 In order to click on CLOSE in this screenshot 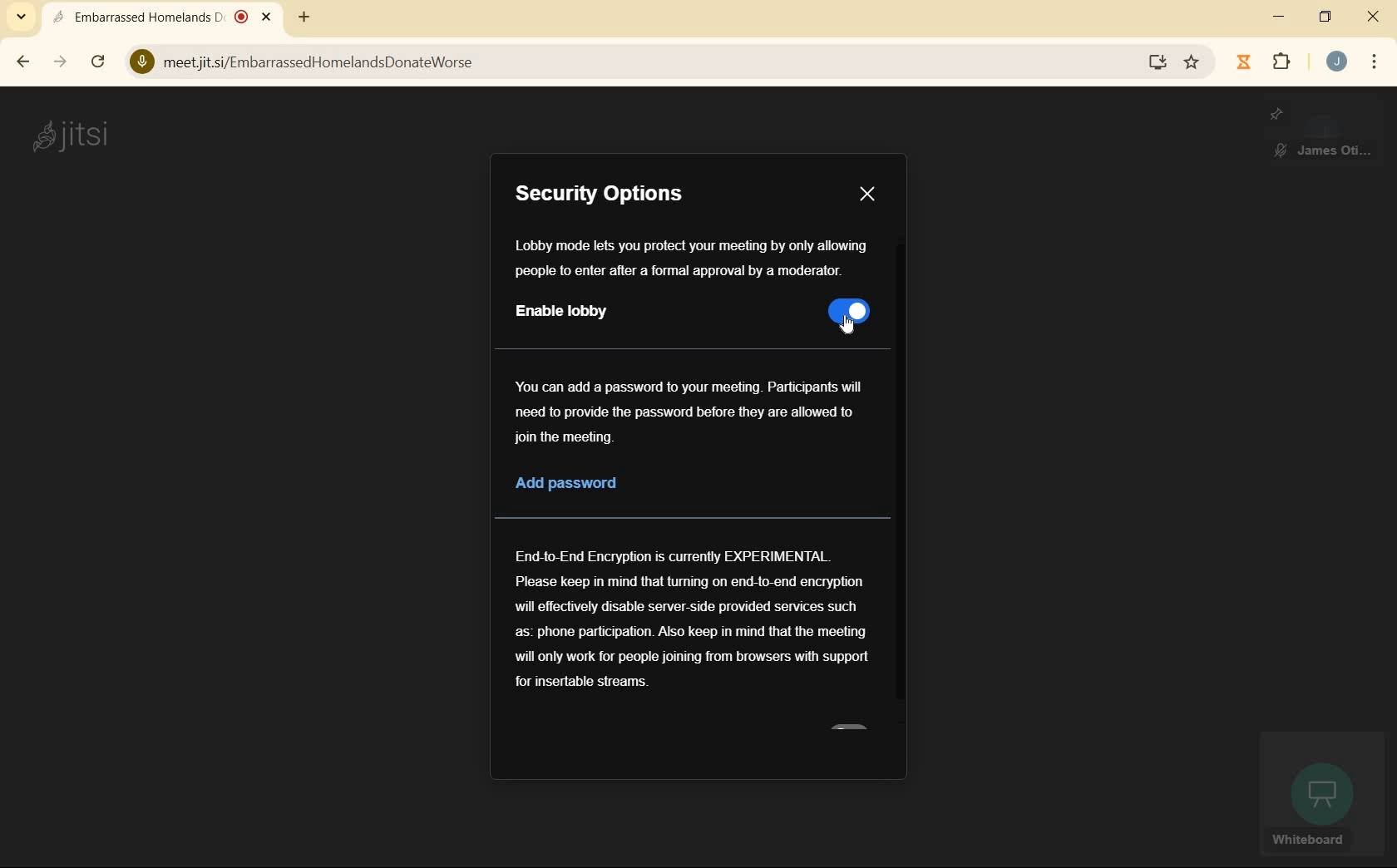, I will do `click(866, 196)`.